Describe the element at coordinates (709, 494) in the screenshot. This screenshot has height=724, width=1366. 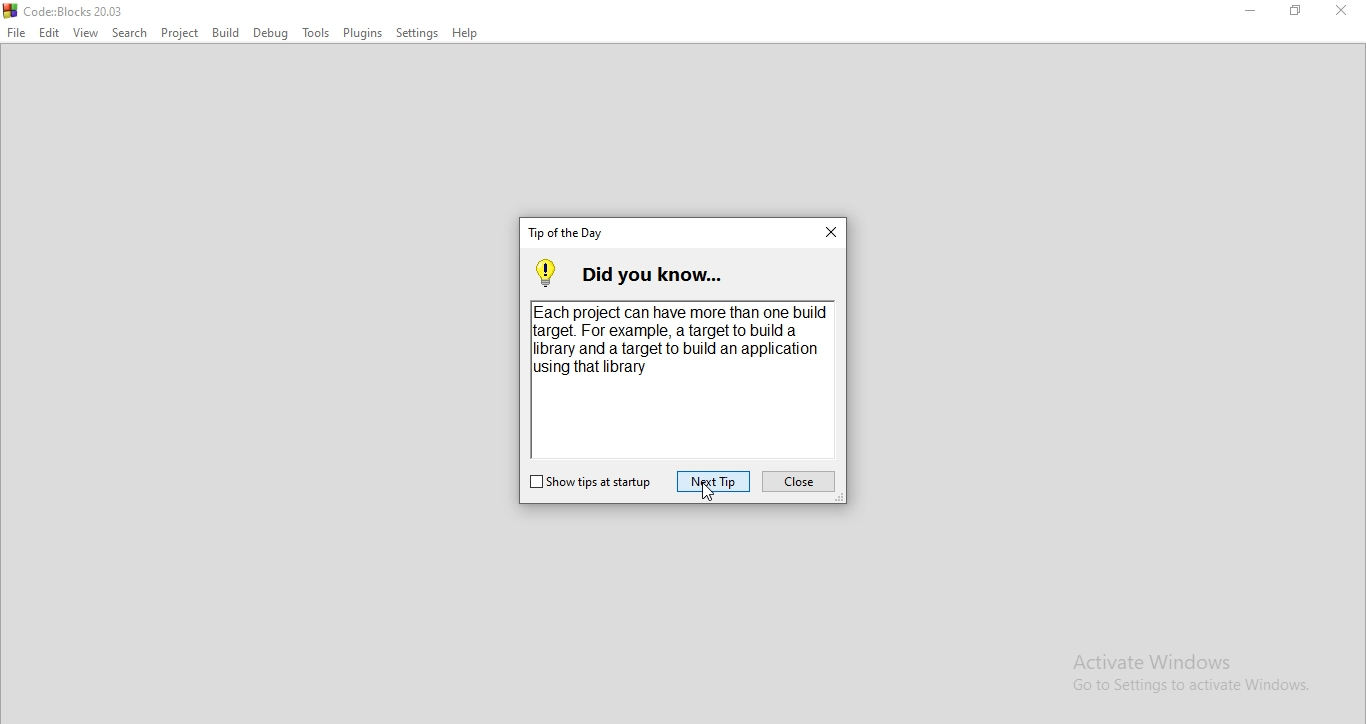
I see `cursor on Next Tip` at that location.